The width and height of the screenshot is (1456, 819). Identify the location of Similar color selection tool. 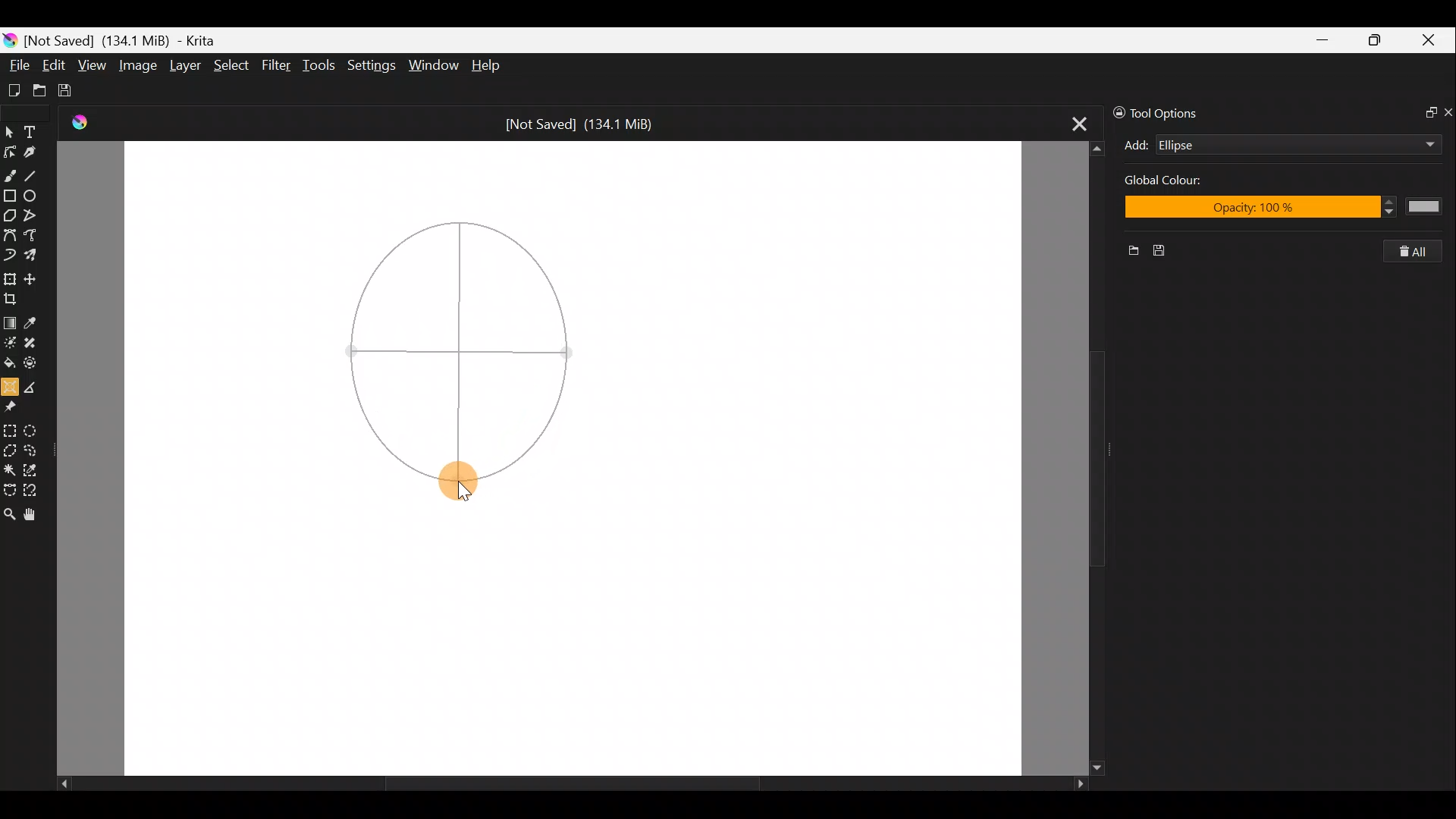
(37, 468).